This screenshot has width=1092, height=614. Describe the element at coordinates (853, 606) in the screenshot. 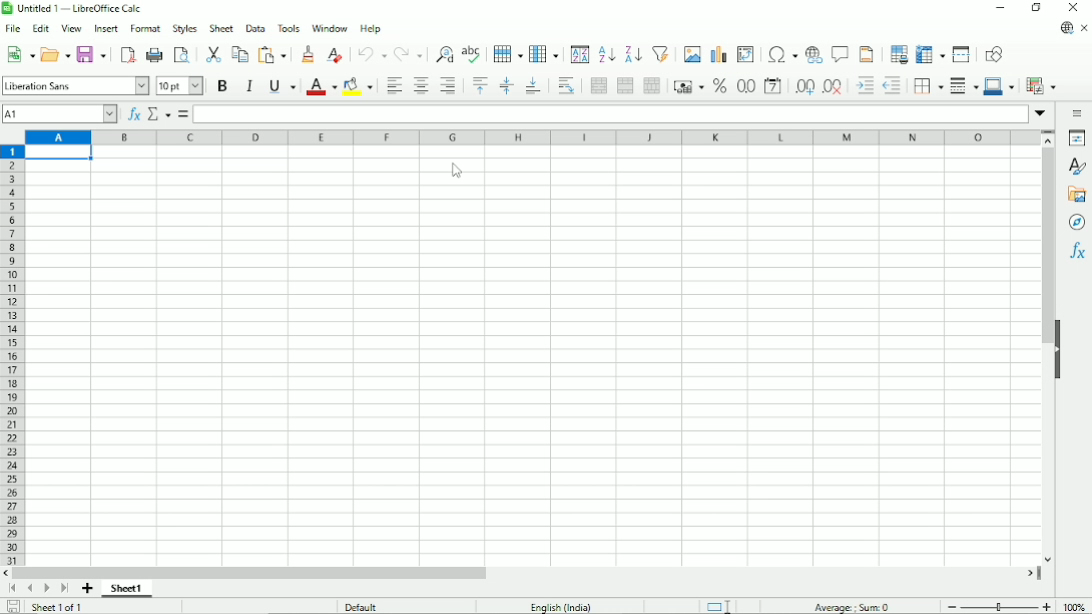

I see `Average, sum` at that location.